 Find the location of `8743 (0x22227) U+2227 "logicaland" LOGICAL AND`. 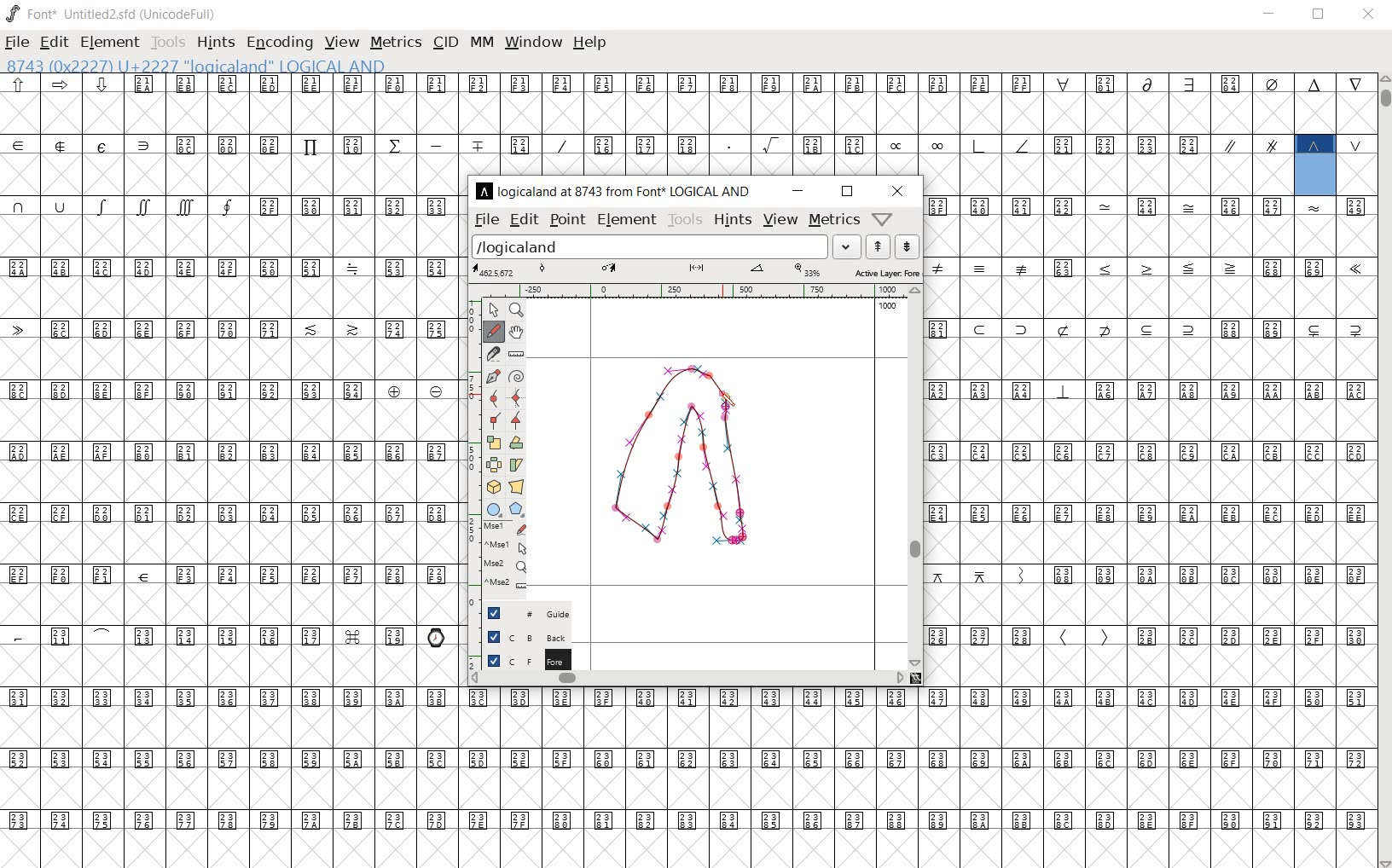

8743 (0x22227) U+2227 "logicaland" LOGICAL AND is located at coordinates (1316, 163).